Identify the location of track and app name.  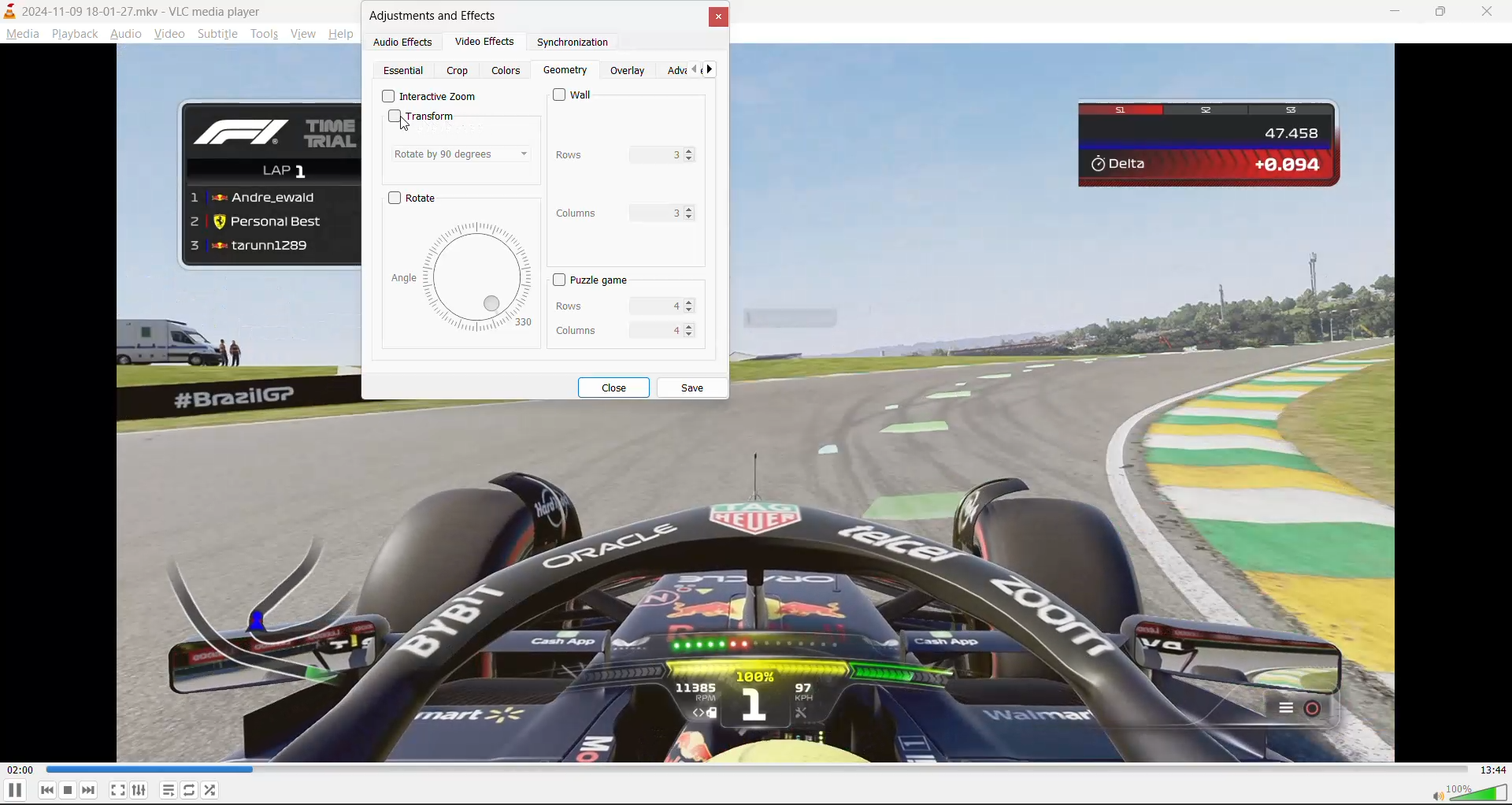
(134, 9).